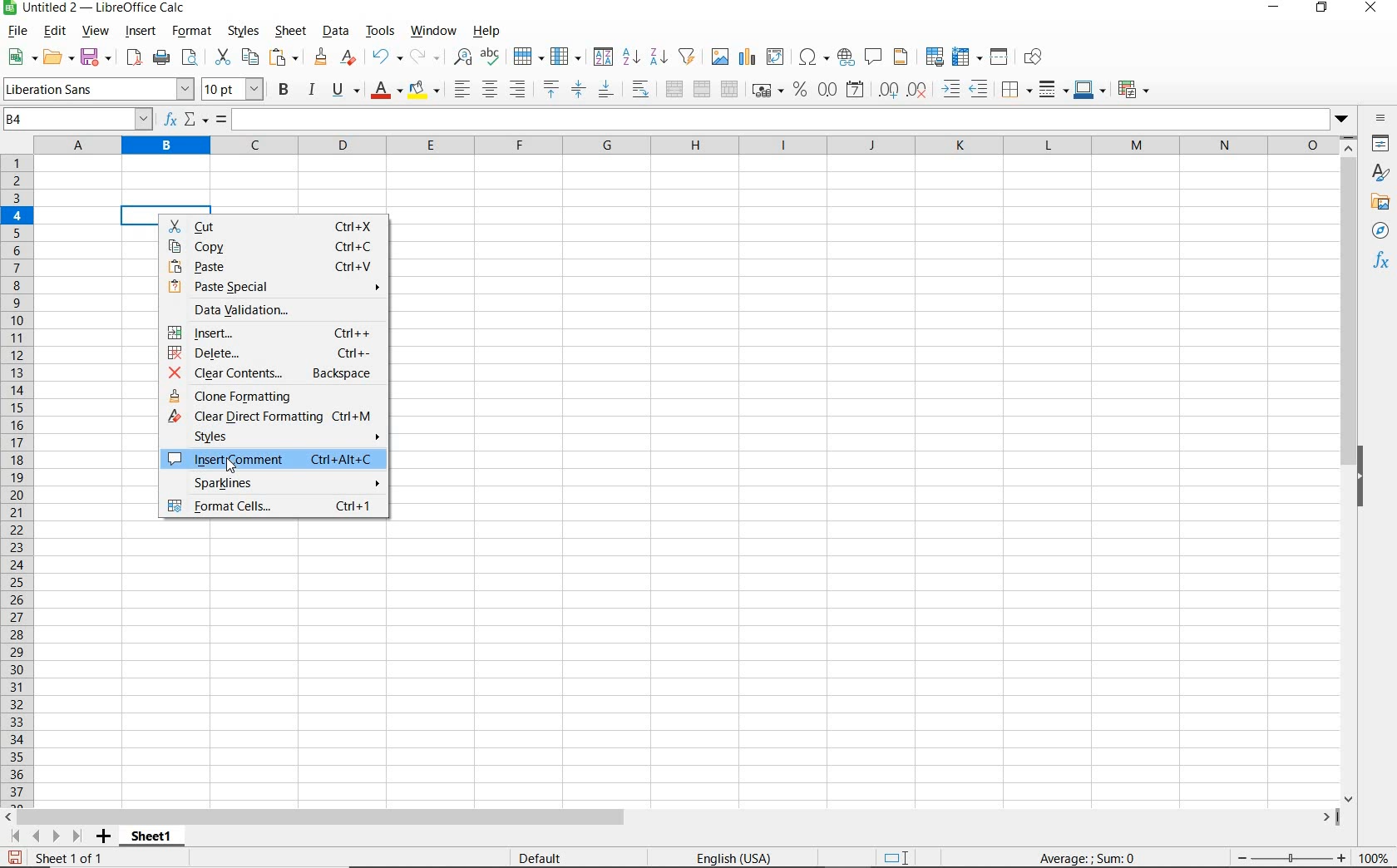 The image size is (1397, 868). Describe the element at coordinates (549, 858) in the screenshot. I see `default` at that location.